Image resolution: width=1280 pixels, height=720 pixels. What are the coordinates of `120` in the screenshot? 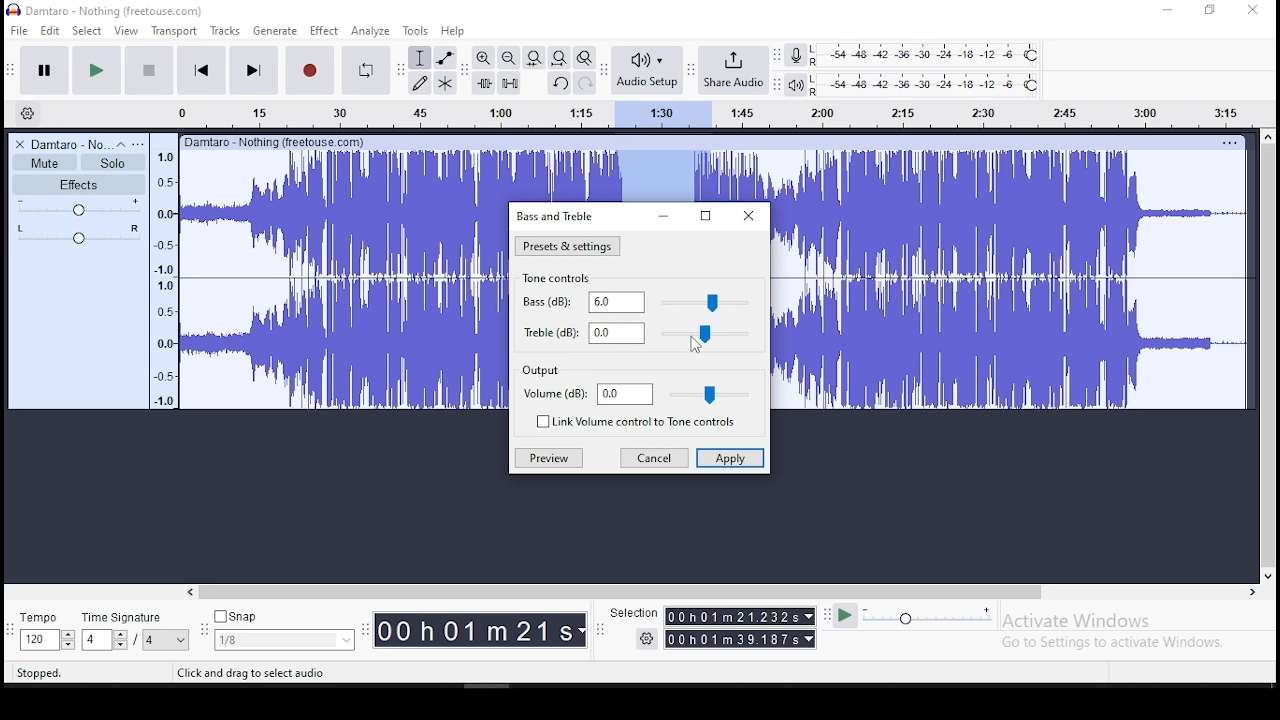 It's located at (38, 641).